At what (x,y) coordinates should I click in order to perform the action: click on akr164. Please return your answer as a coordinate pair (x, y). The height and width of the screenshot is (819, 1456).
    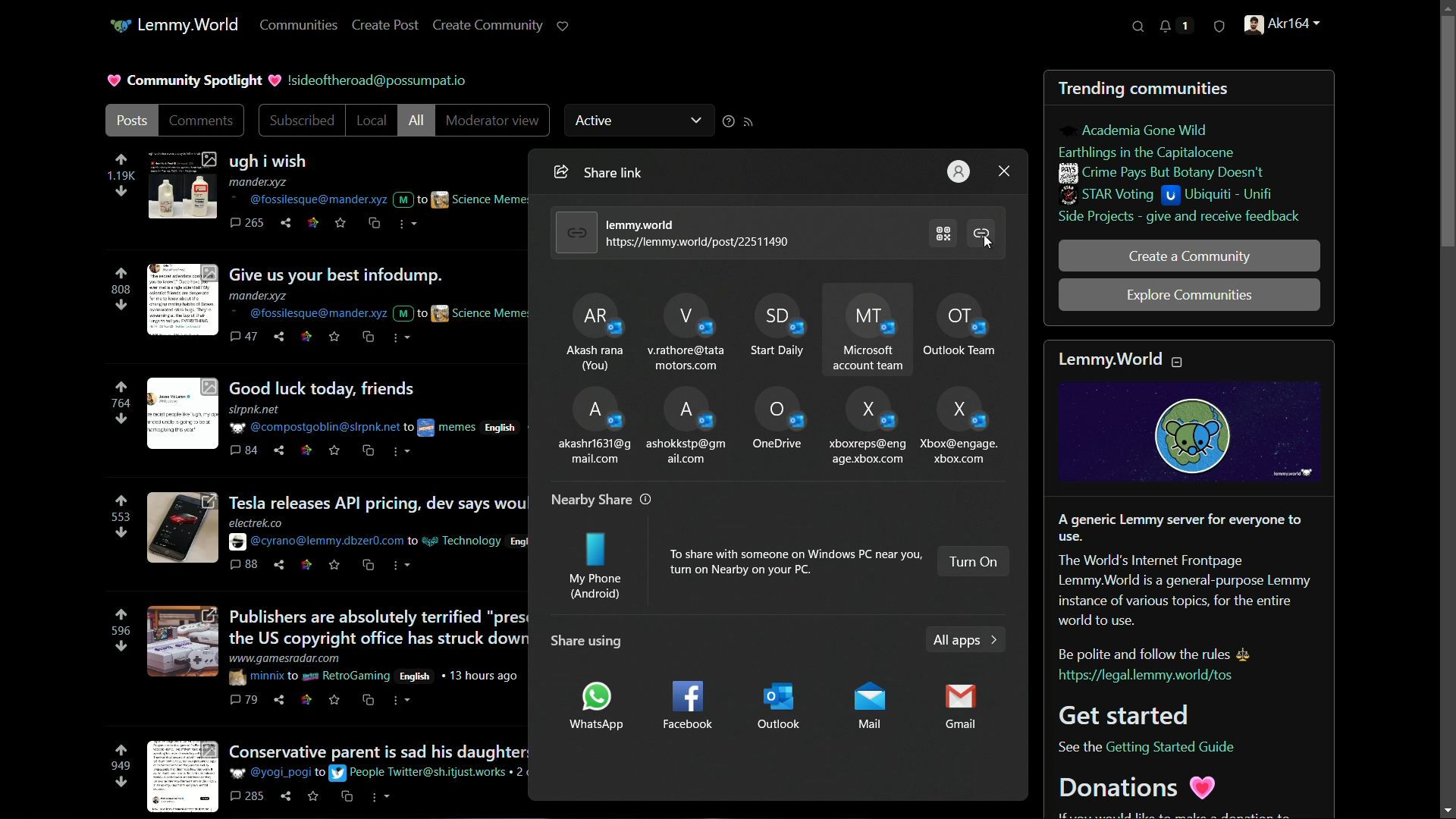
    Looking at the image, I should click on (1285, 27).